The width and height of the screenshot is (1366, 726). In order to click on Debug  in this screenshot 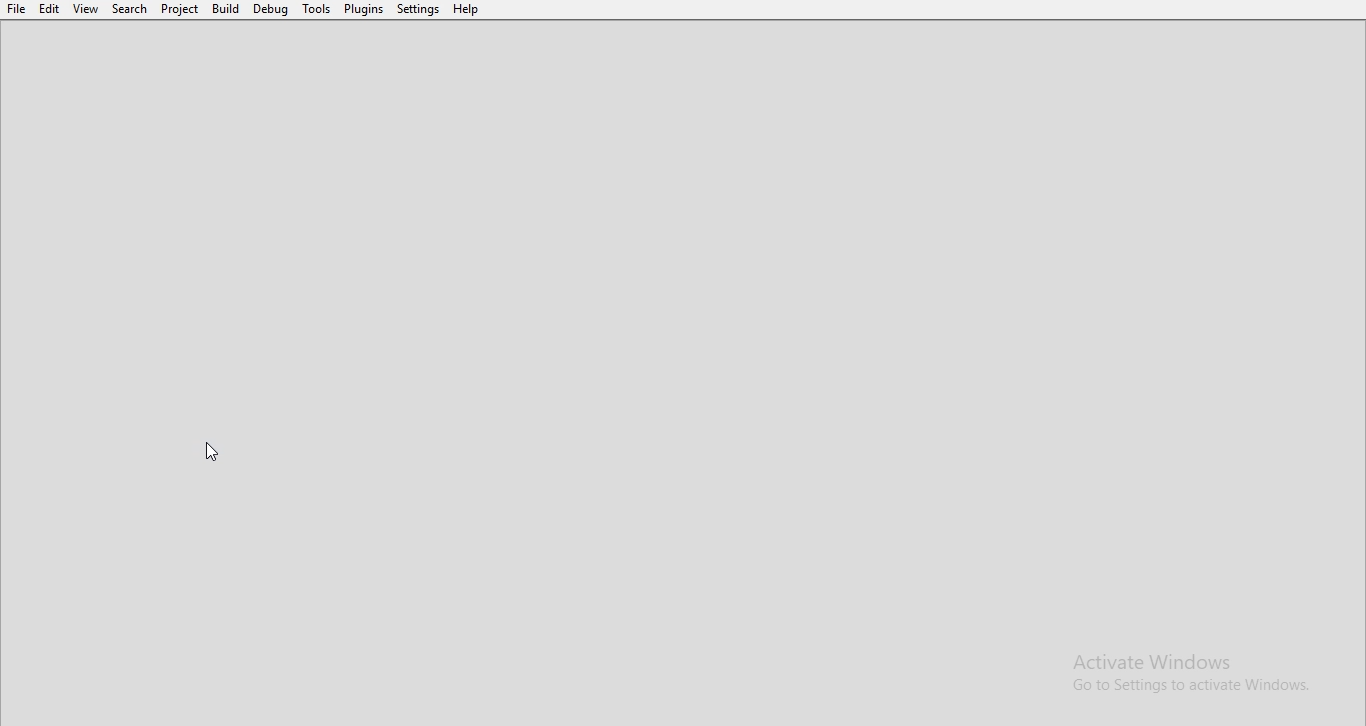, I will do `click(272, 9)`.